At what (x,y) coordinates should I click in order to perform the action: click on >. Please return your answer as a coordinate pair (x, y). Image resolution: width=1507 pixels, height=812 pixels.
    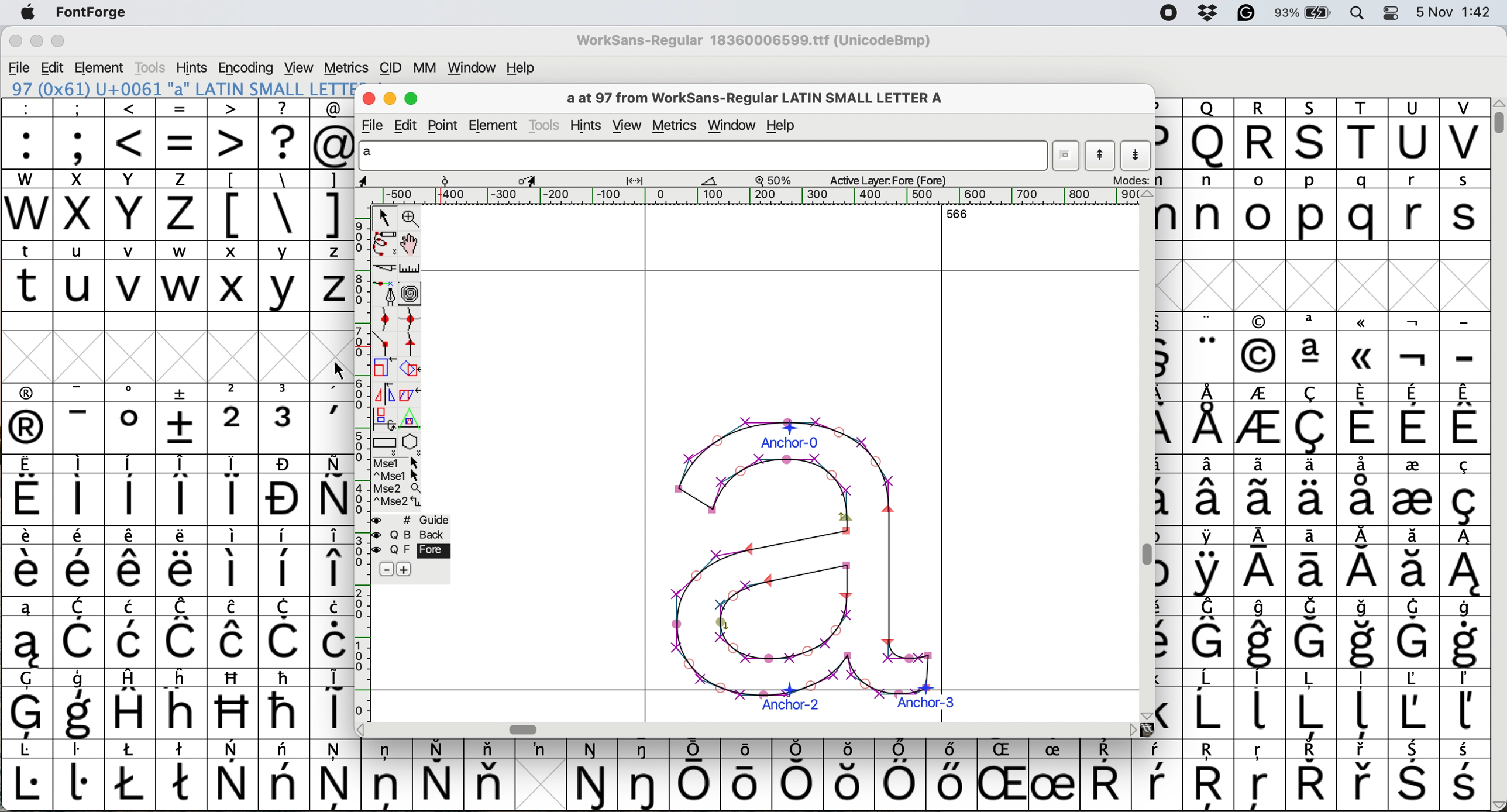
    Looking at the image, I should click on (233, 133).